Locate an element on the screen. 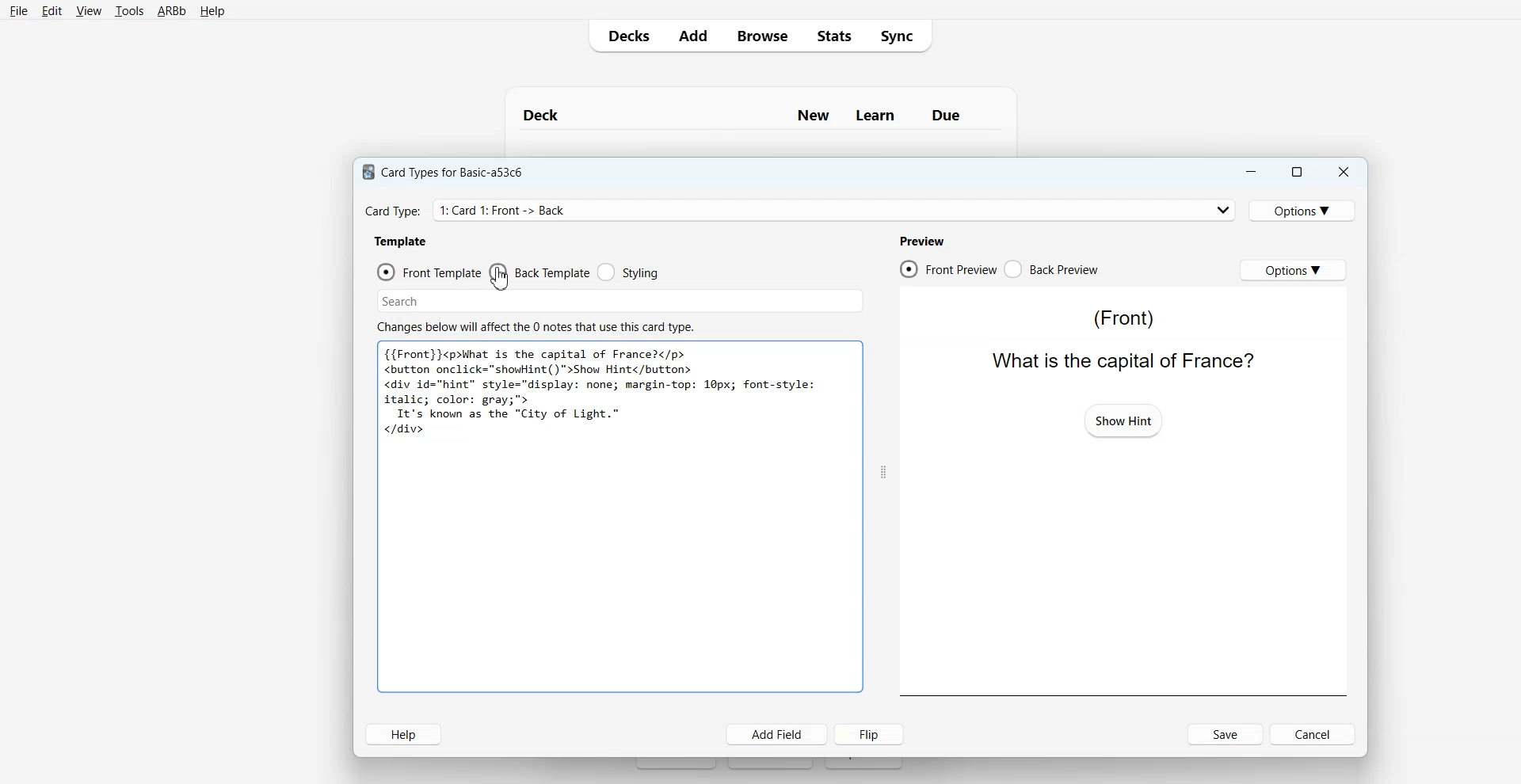 The width and height of the screenshot is (1521, 784). Back Preview is located at coordinates (1052, 269).